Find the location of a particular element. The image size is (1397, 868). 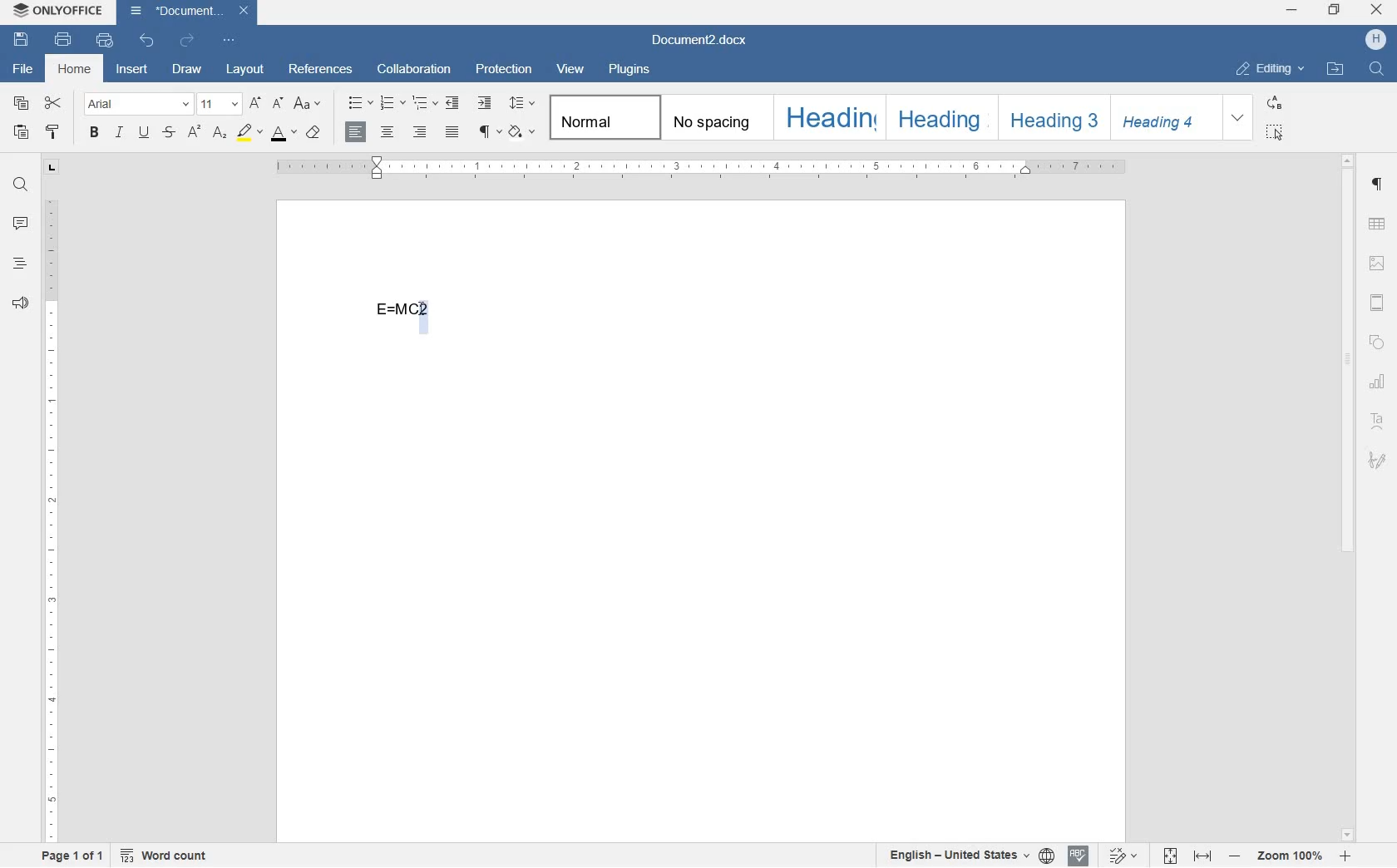

file name is located at coordinates (190, 14).